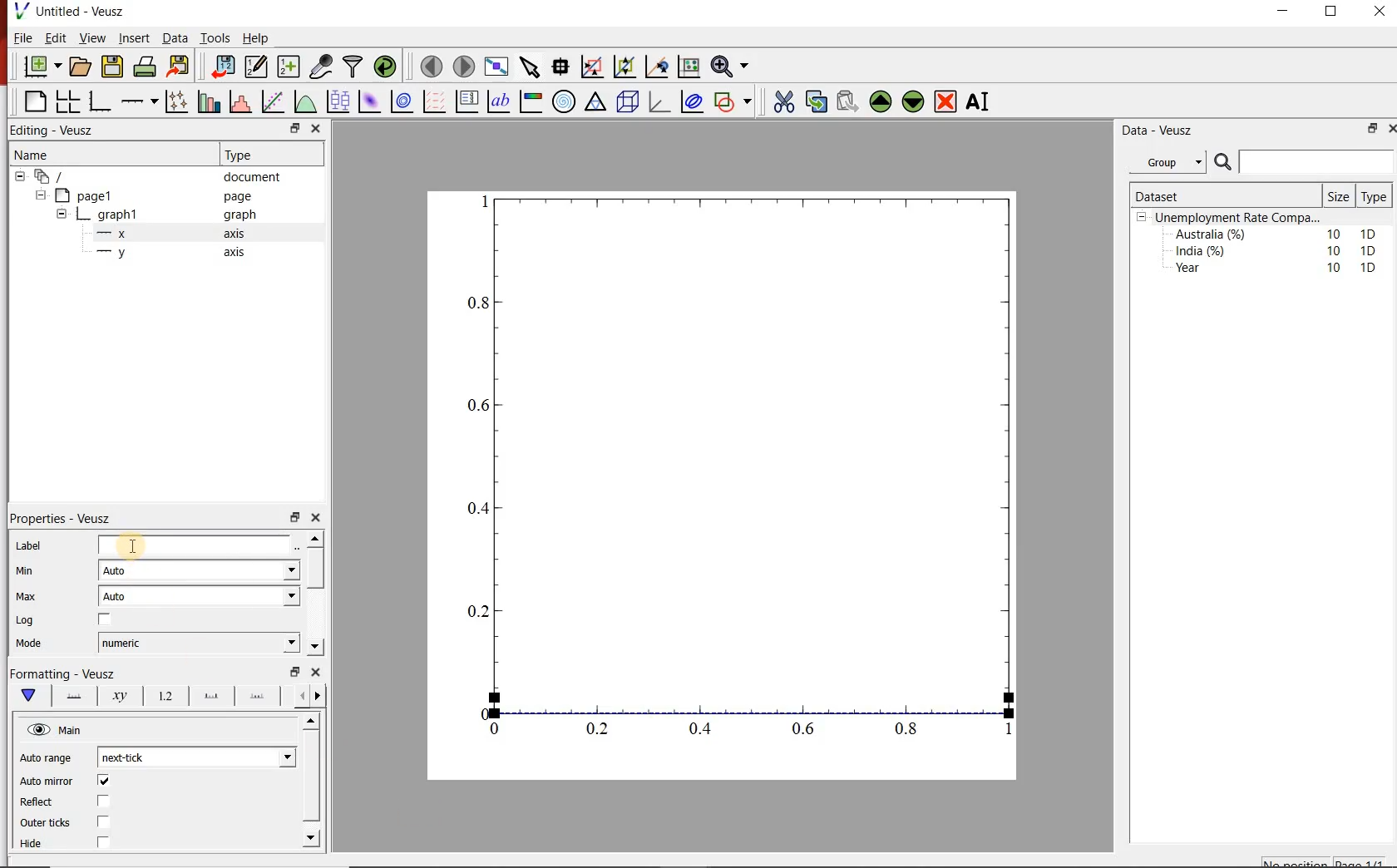  I want to click on Group, so click(1170, 162).